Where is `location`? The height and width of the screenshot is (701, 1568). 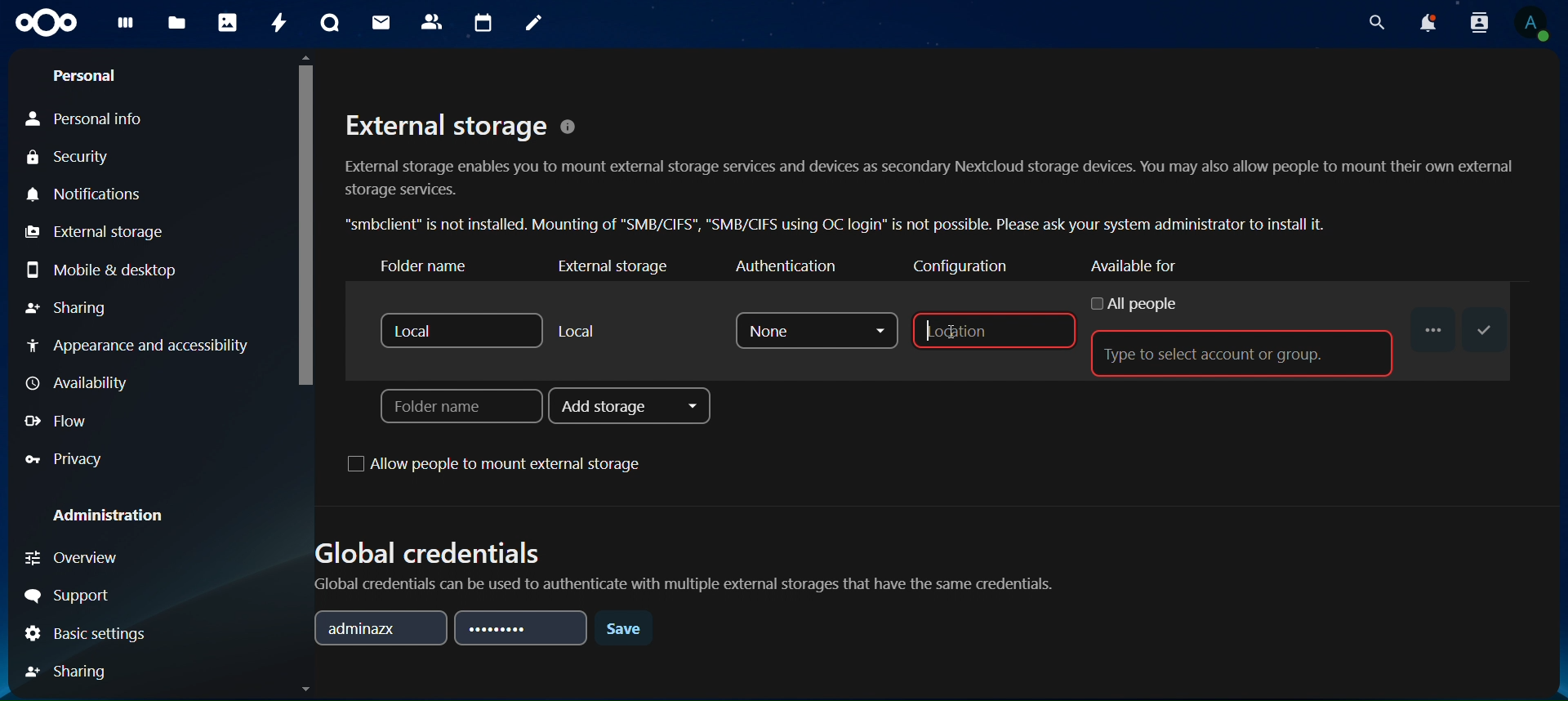 location is located at coordinates (991, 332).